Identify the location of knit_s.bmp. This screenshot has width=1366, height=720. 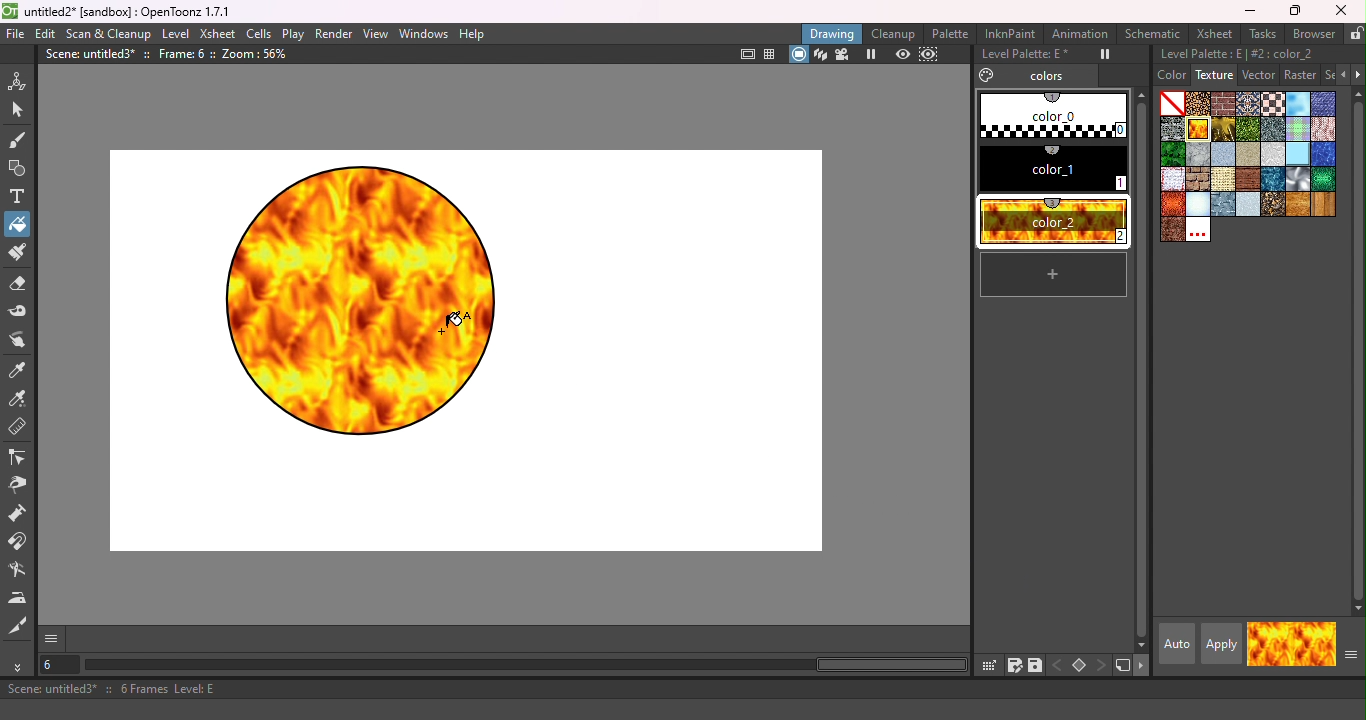
(1323, 129).